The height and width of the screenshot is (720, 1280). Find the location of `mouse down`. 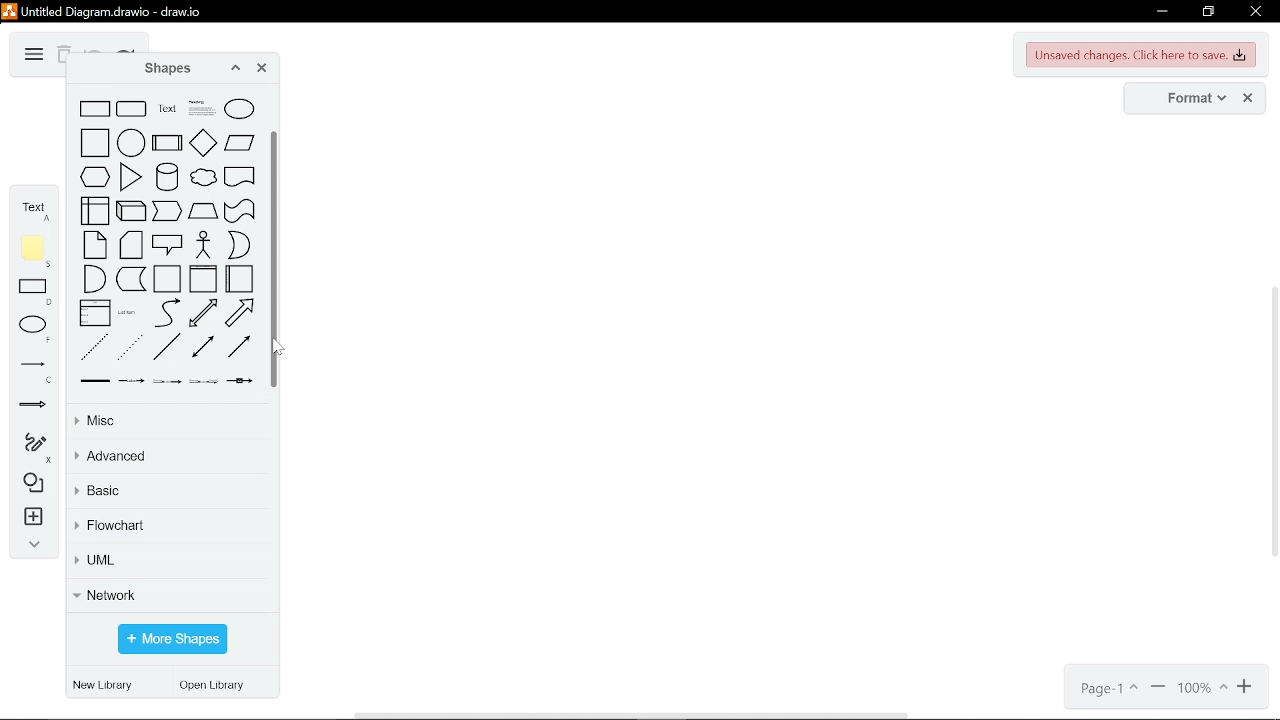

mouse down is located at coordinates (277, 348).